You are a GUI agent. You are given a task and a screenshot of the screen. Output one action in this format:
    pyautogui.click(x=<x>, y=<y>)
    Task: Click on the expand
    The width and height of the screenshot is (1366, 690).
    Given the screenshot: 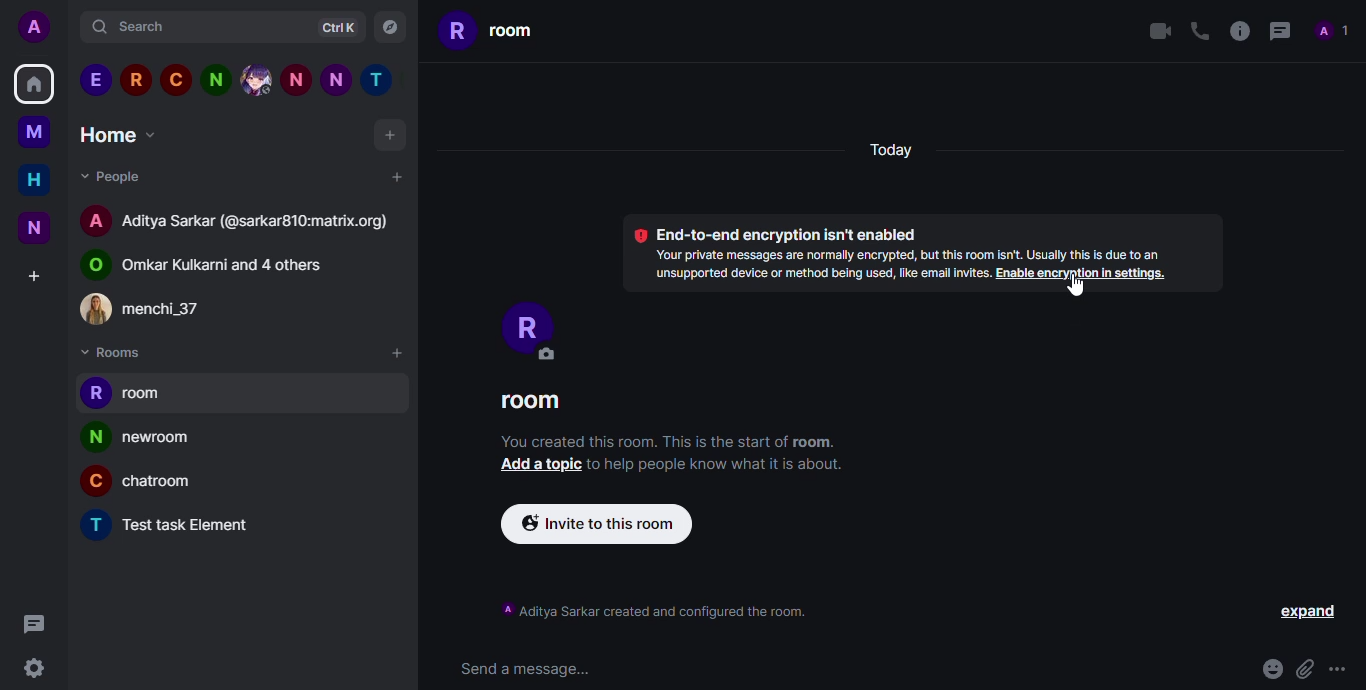 What is the action you would take?
    pyautogui.click(x=1310, y=613)
    